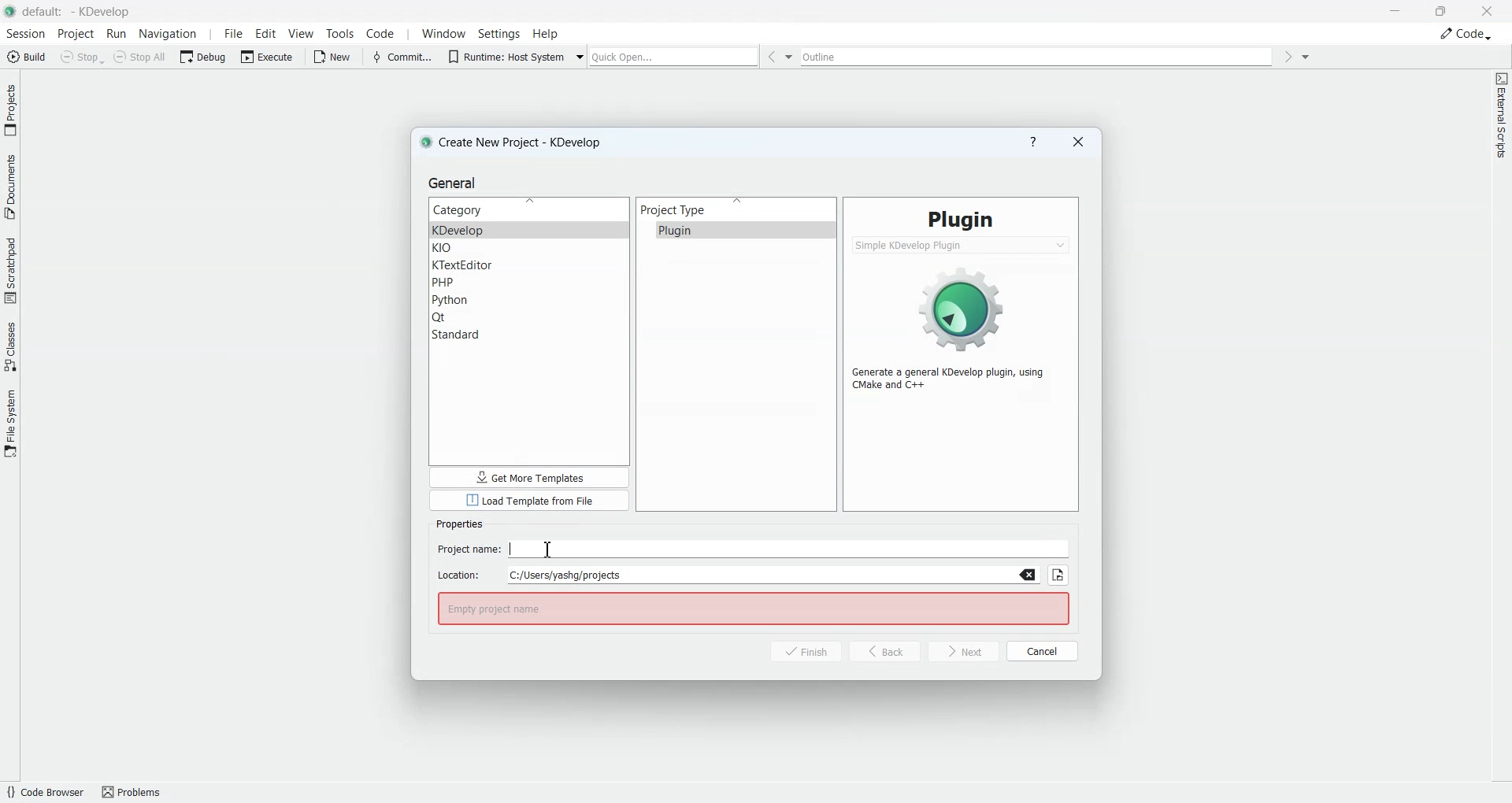  What do you see at coordinates (10, 422) in the screenshot?
I see `File System` at bounding box center [10, 422].